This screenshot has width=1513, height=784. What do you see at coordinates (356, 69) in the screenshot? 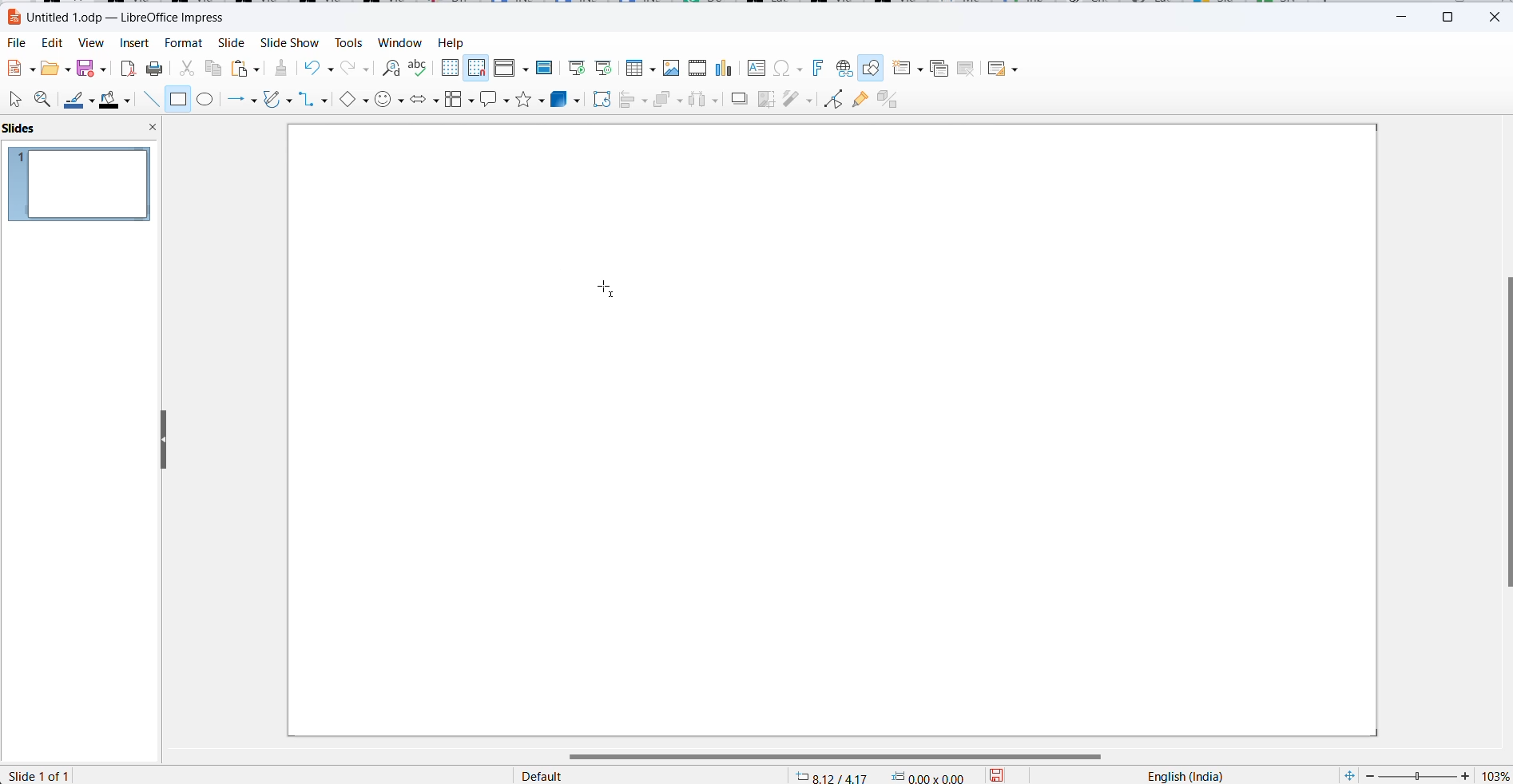
I see `redo` at bounding box center [356, 69].